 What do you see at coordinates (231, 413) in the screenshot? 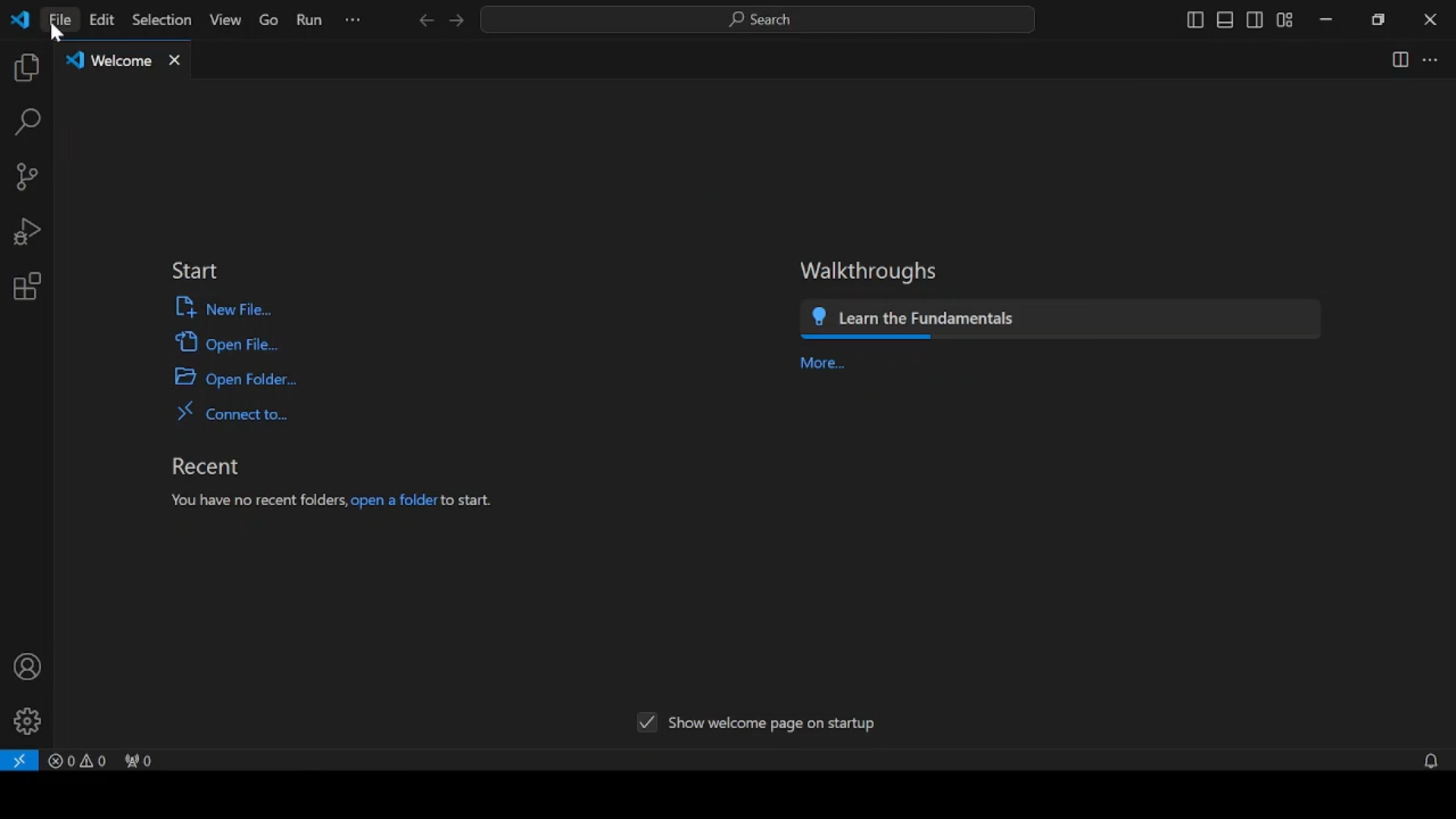
I see `connect to` at bounding box center [231, 413].